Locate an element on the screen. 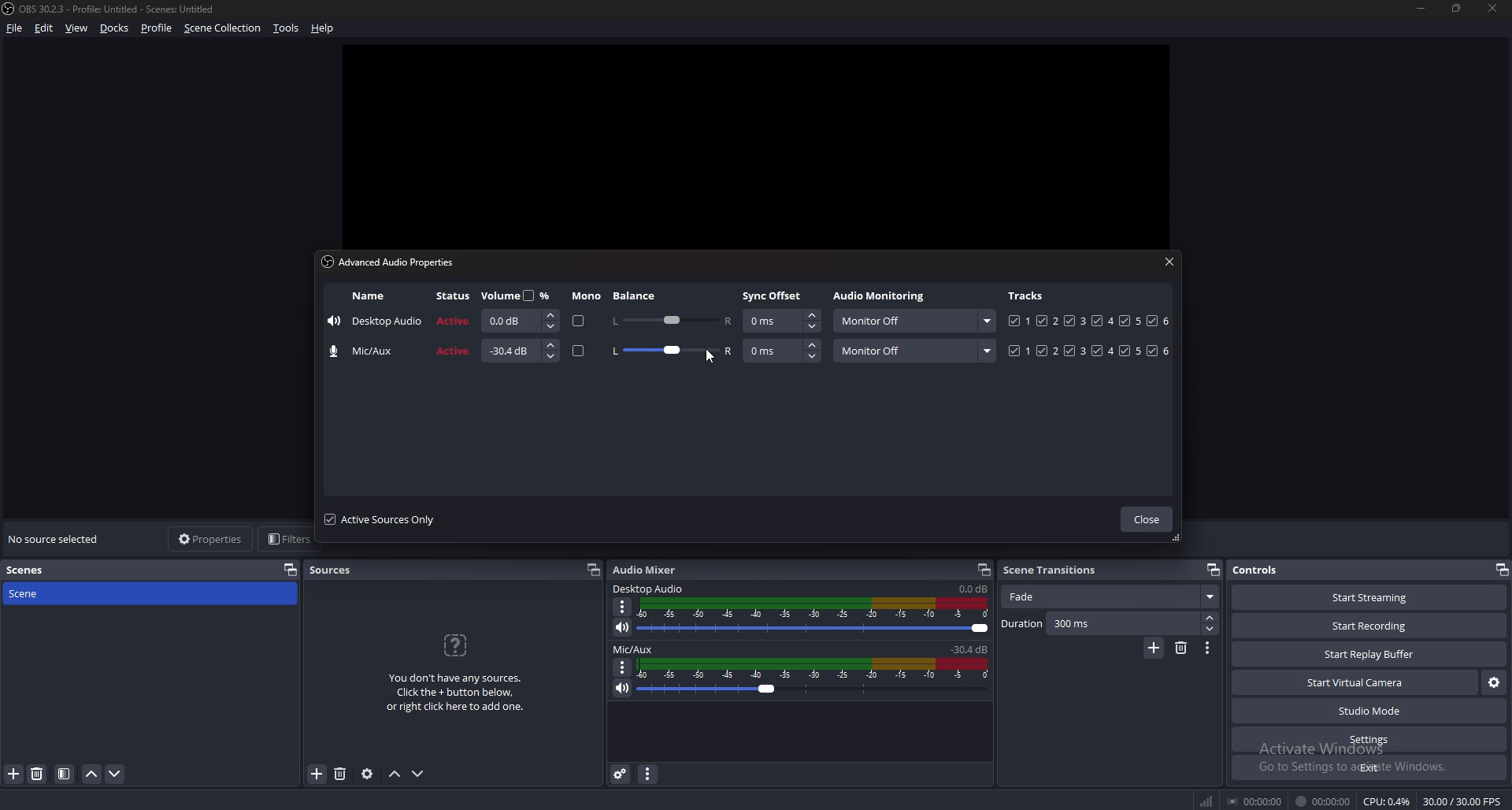 Image resolution: width=1512 pixels, height=810 pixels. balance is located at coordinates (639, 295).